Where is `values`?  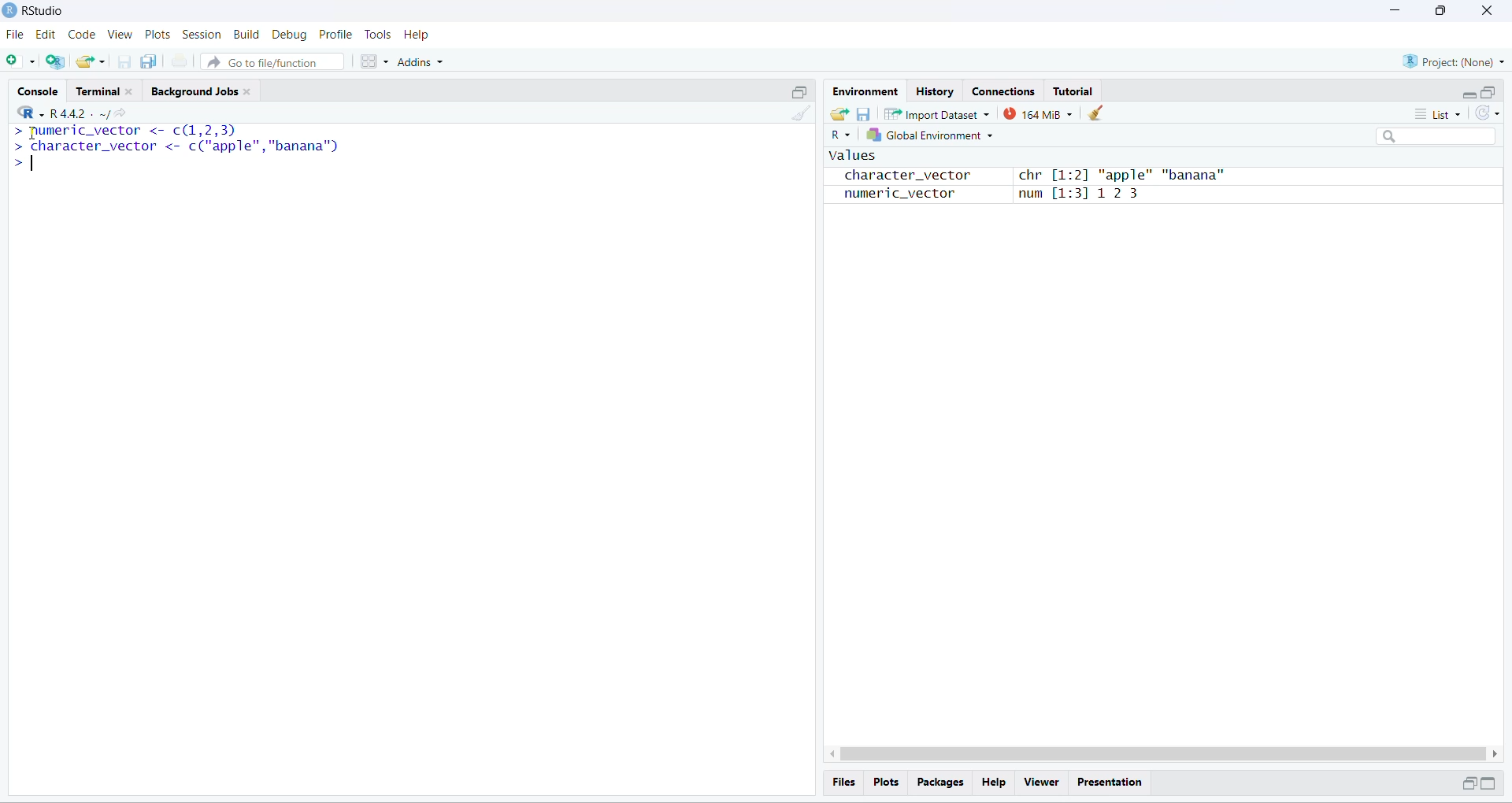 values is located at coordinates (850, 157).